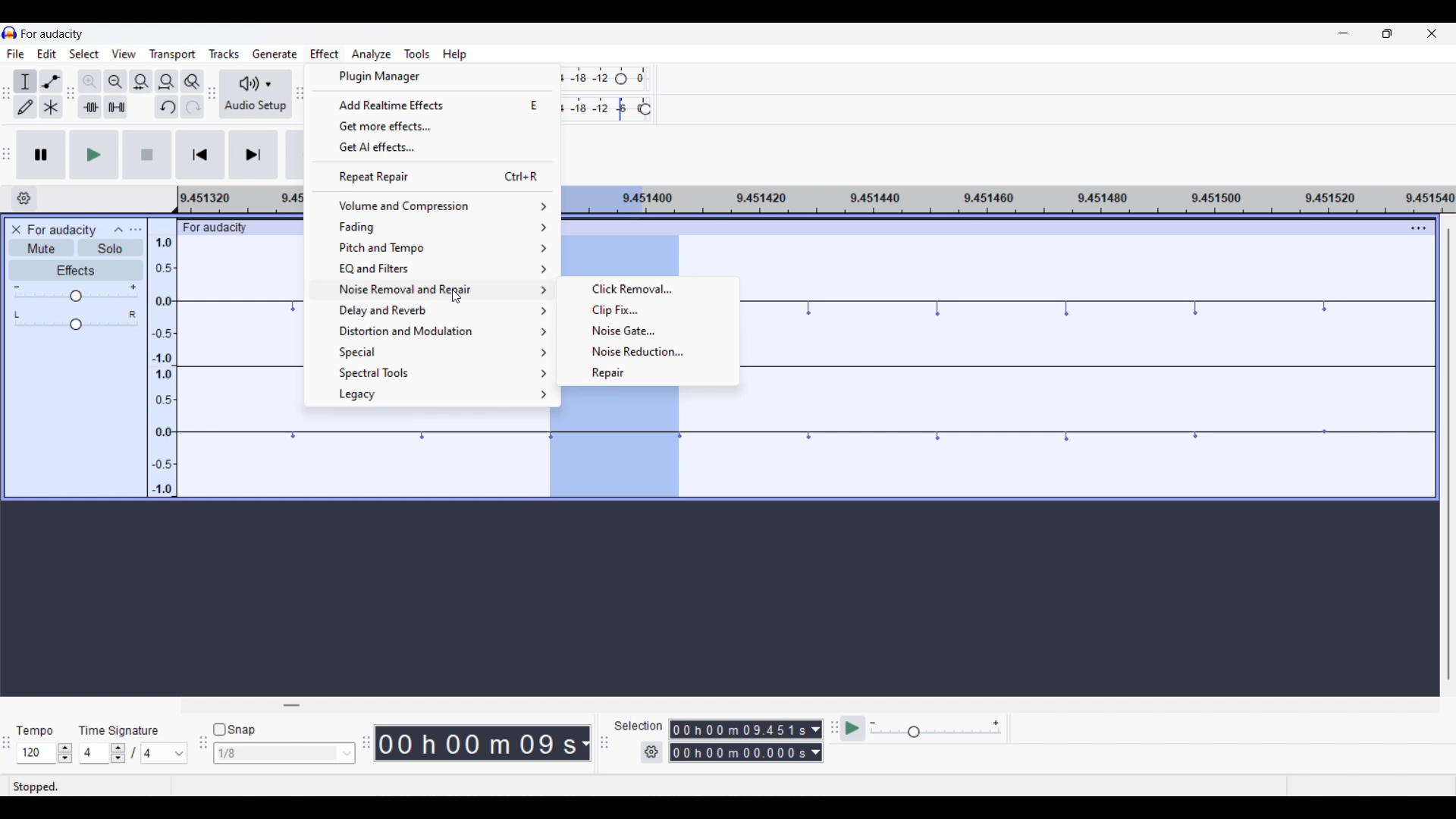 The width and height of the screenshot is (1456, 819). Describe the element at coordinates (433, 176) in the screenshot. I see `Repeat last repair` at that location.